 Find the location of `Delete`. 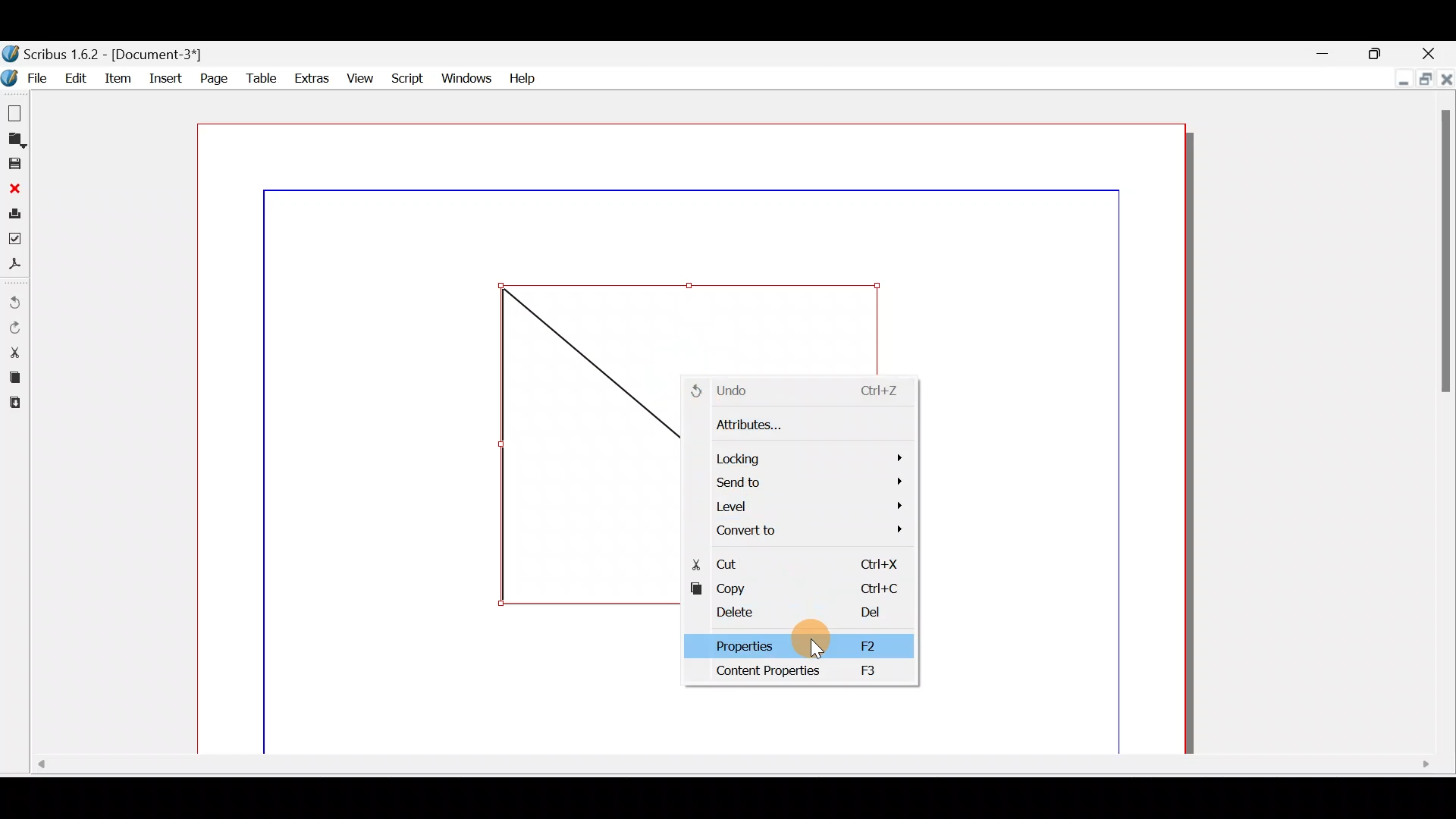

Delete is located at coordinates (795, 615).